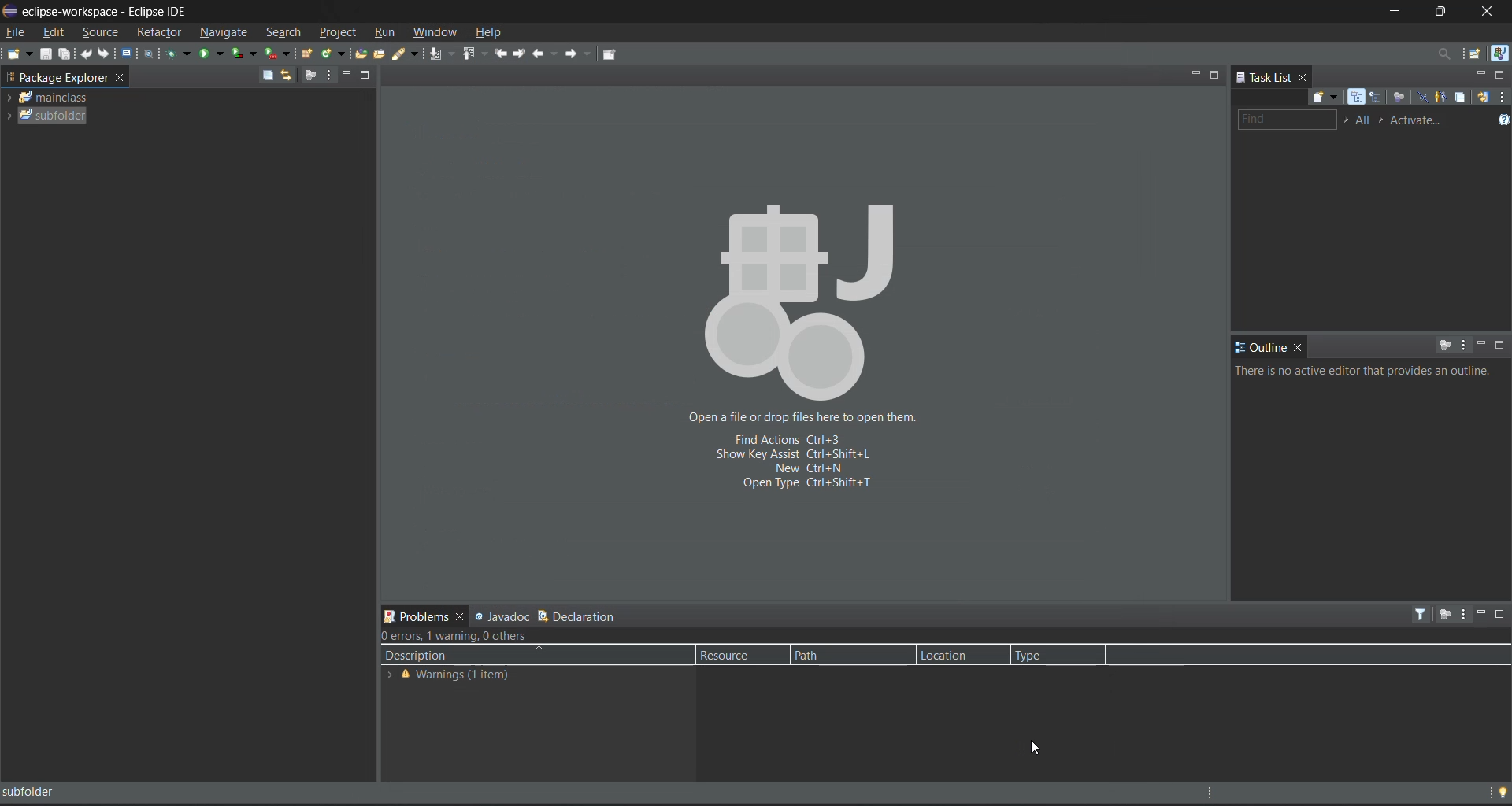 The height and width of the screenshot is (806, 1512). I want to click on close, so click(458, 618).